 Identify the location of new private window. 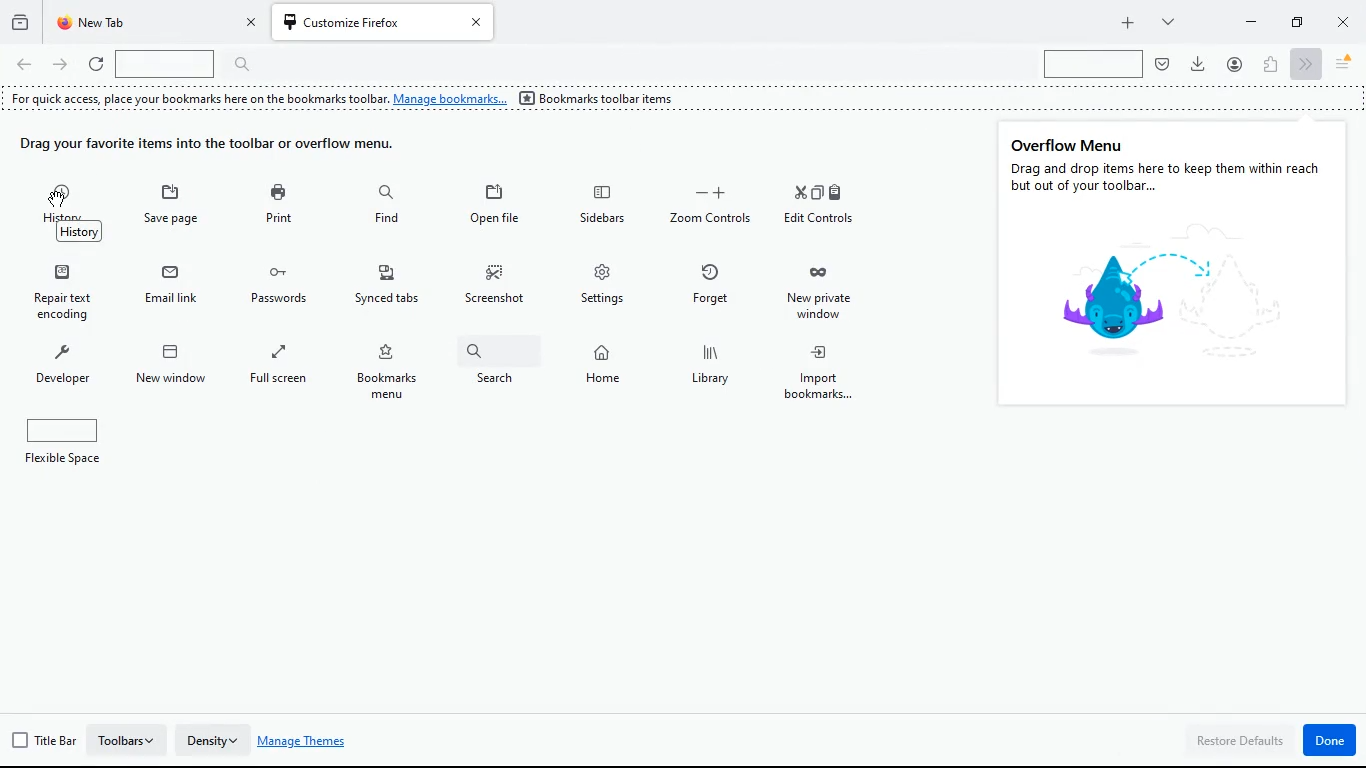
(828, 292).